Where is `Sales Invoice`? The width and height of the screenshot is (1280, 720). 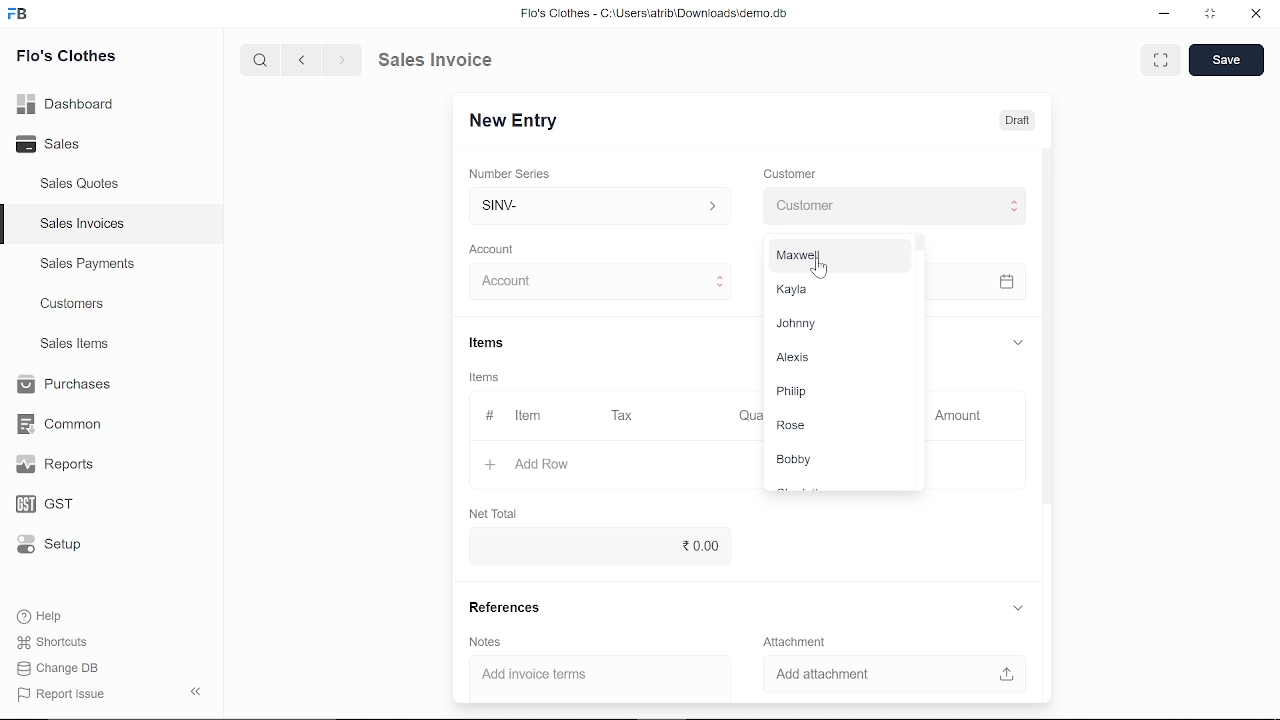
Sales Invoice is located at coordinates (450, 59).